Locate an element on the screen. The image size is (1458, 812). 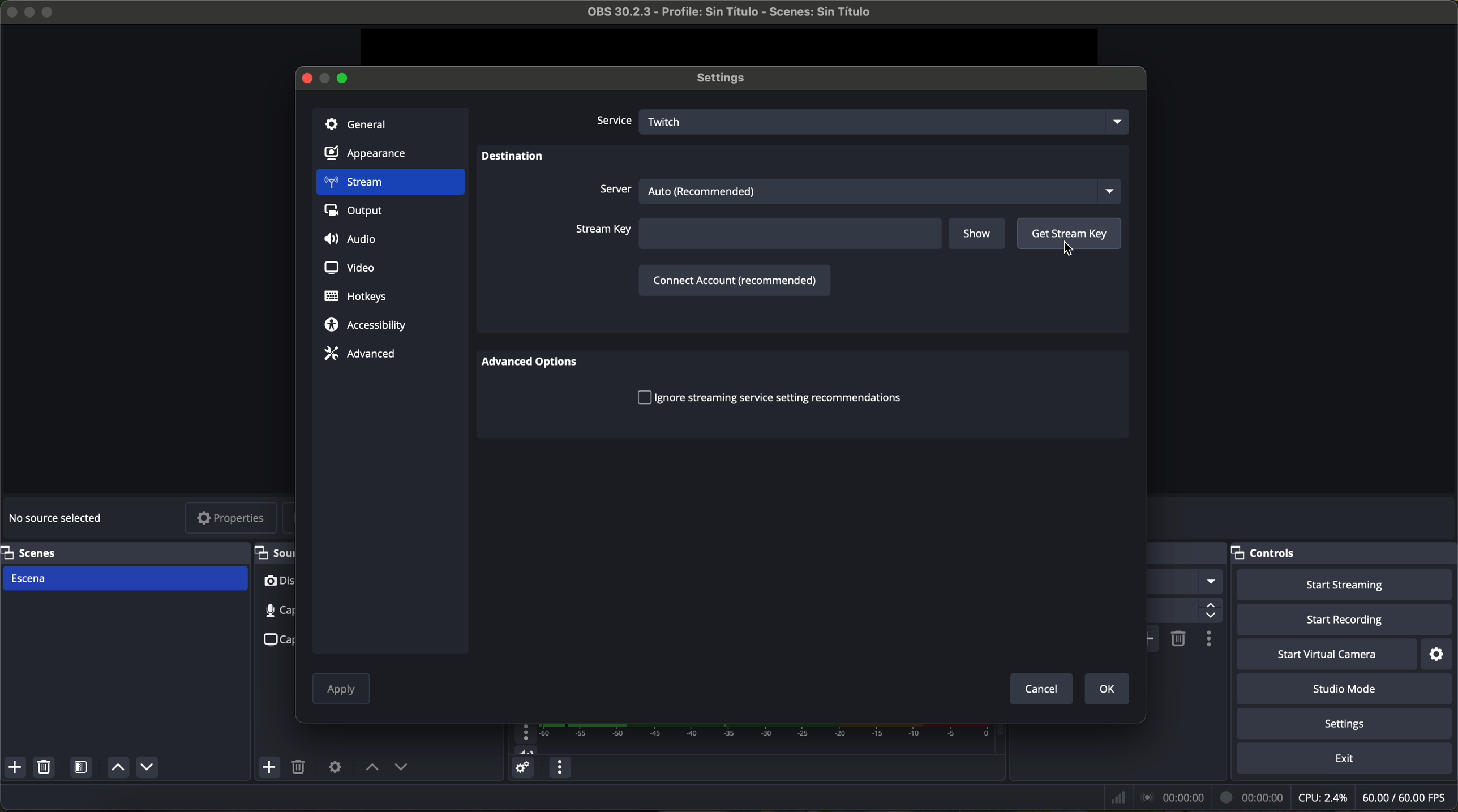
Twitch is located at coordinates (887, 121).